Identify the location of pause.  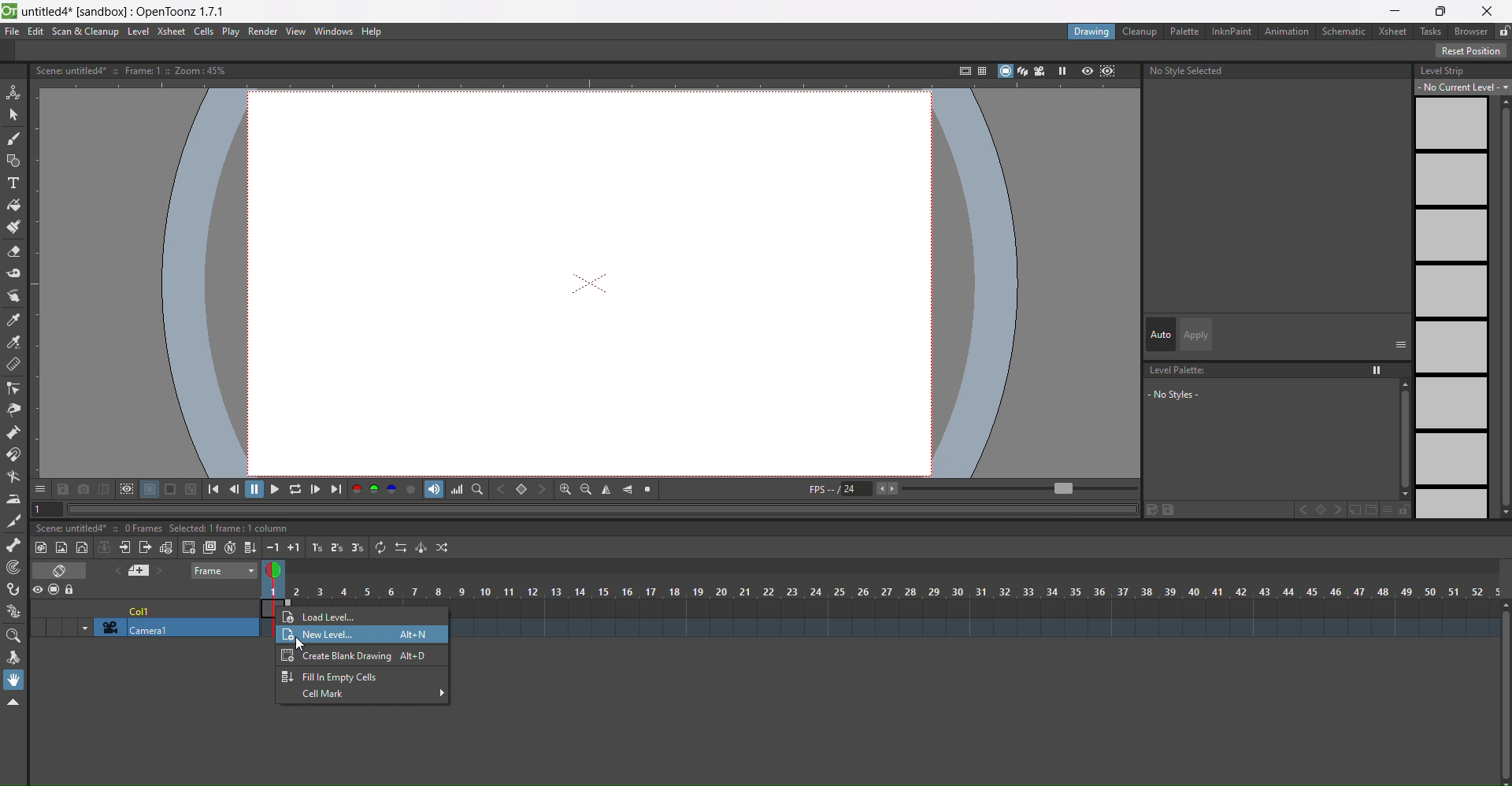
(255, 489).